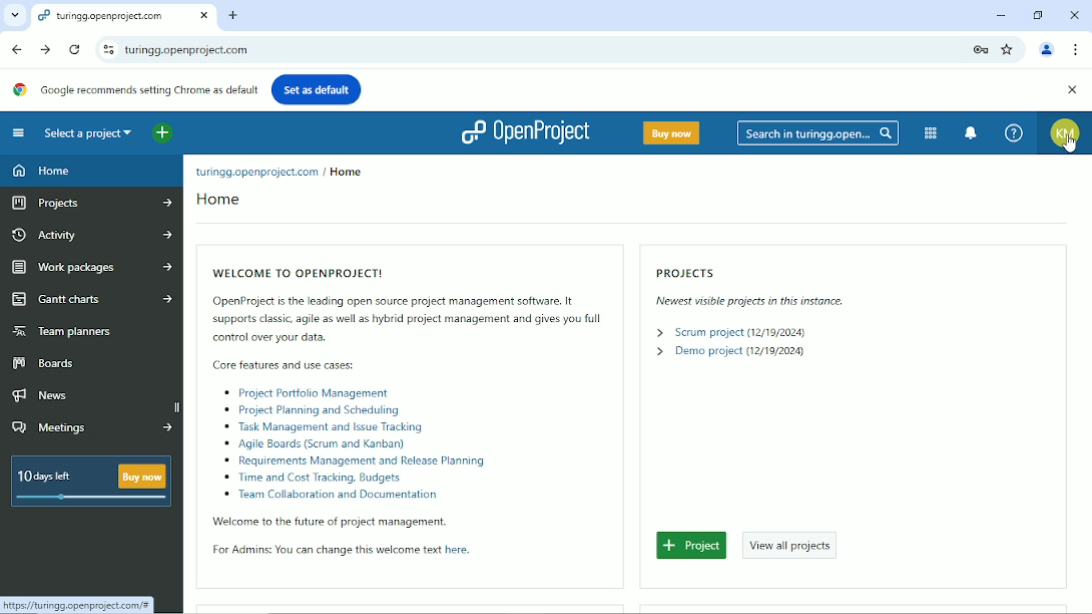 The height and width of the screenshot is (614, 1092). Describe the element at coordinates (725, 332) in the screenshot. I see `> Scum prosect (1217920248` at that location.